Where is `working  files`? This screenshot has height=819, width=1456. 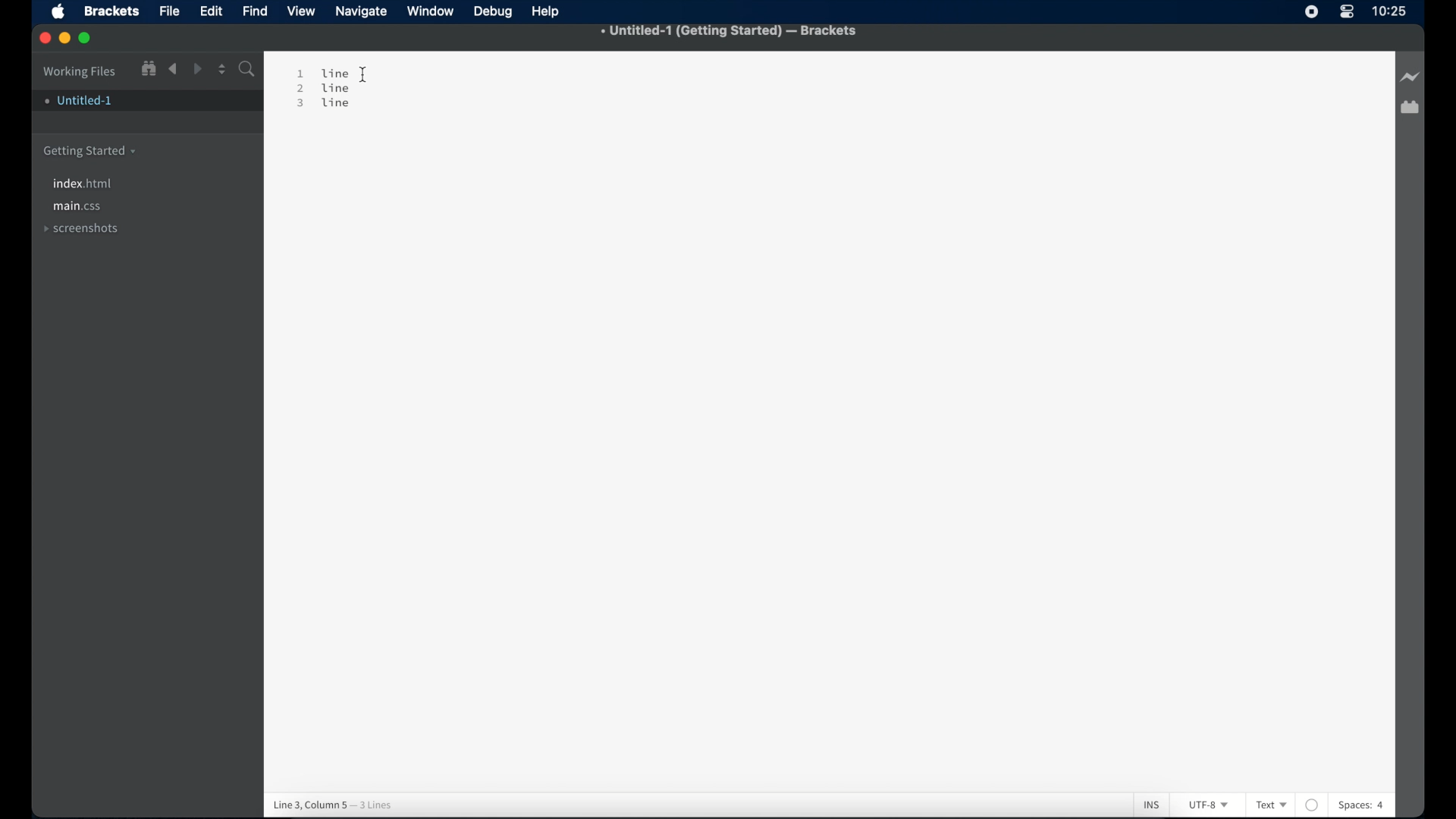 working  files is located at coordinates (80, 72).